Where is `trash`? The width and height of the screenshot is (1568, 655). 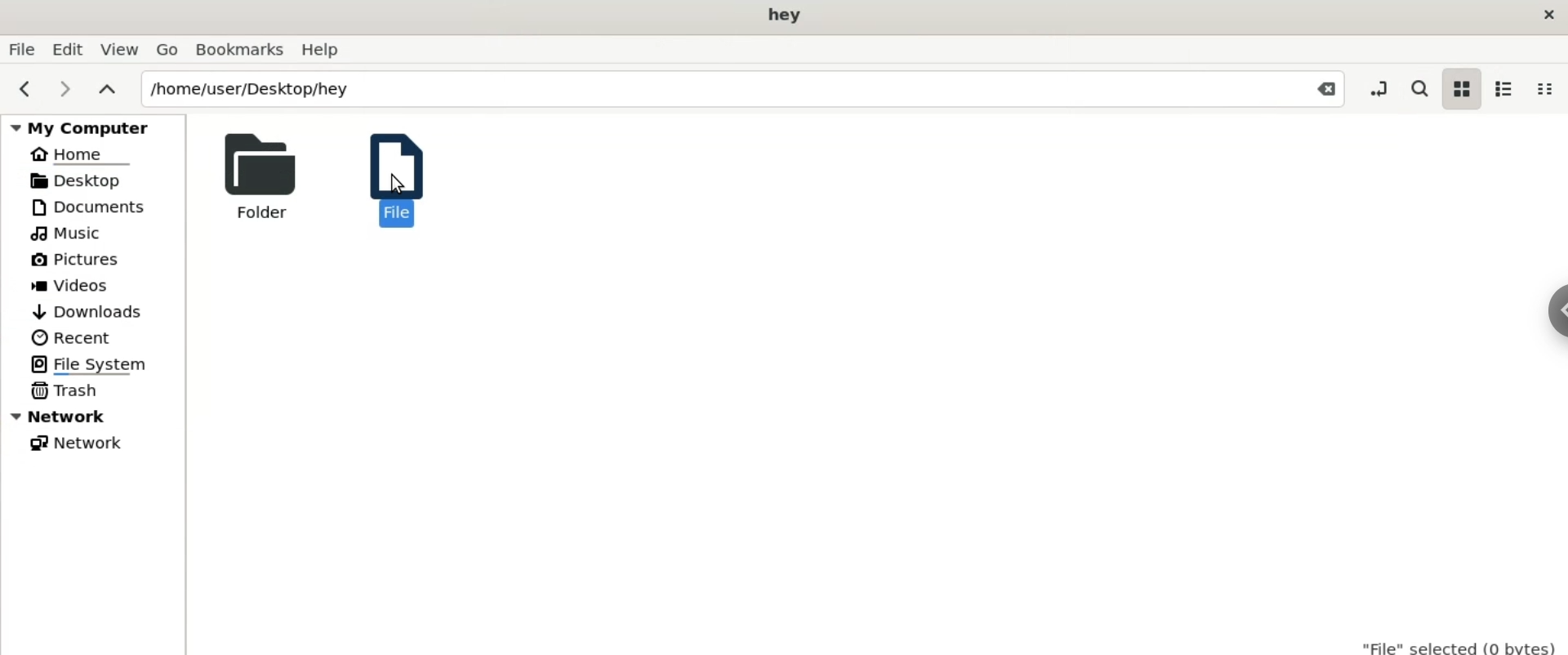 trash is located at coordinates (65, 389).